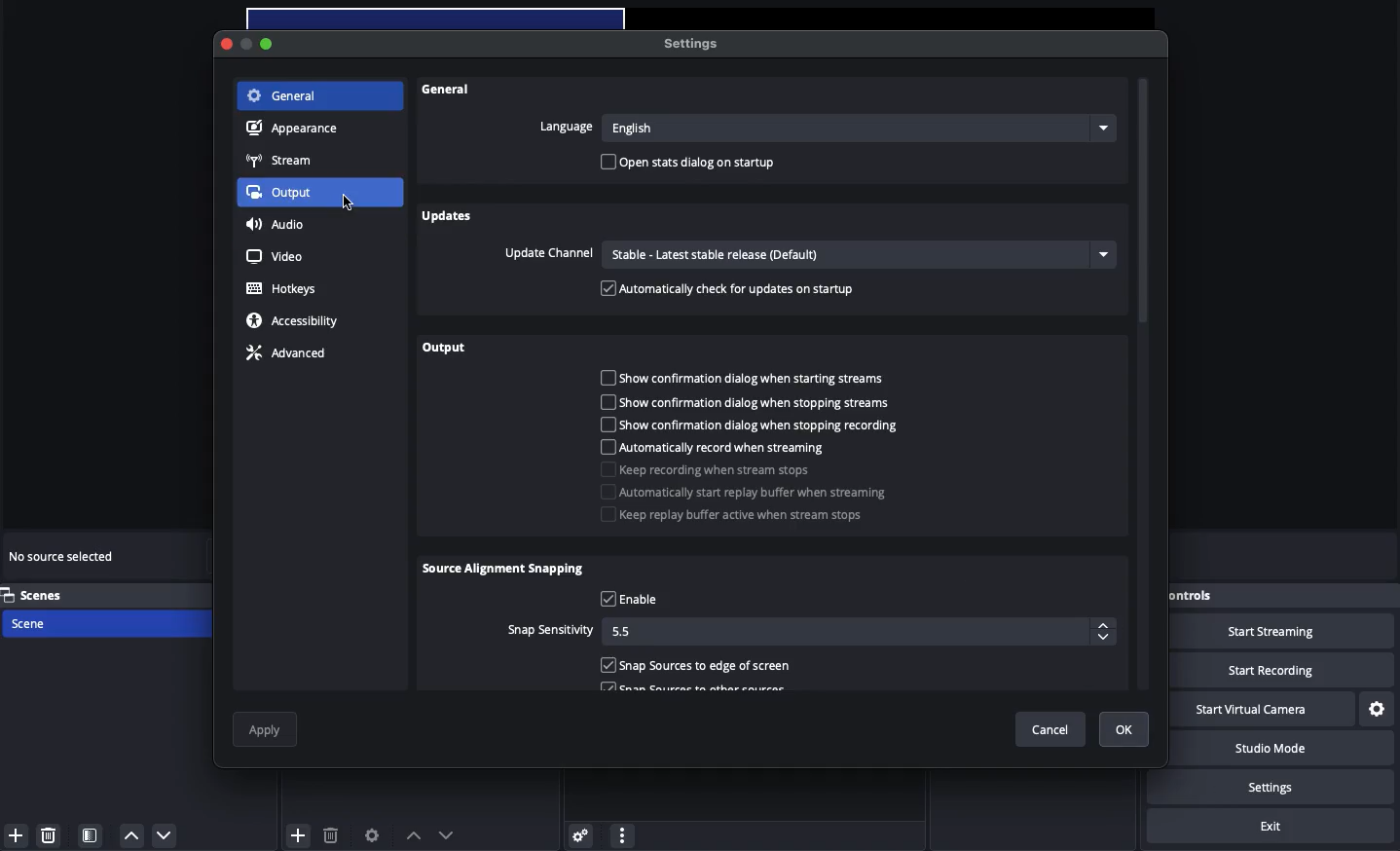 The image size is (1400, 851). What do you see at coordinates (296, 321) in the screenshot?
I see `Accessibility ` at bounding box center [296, 321].